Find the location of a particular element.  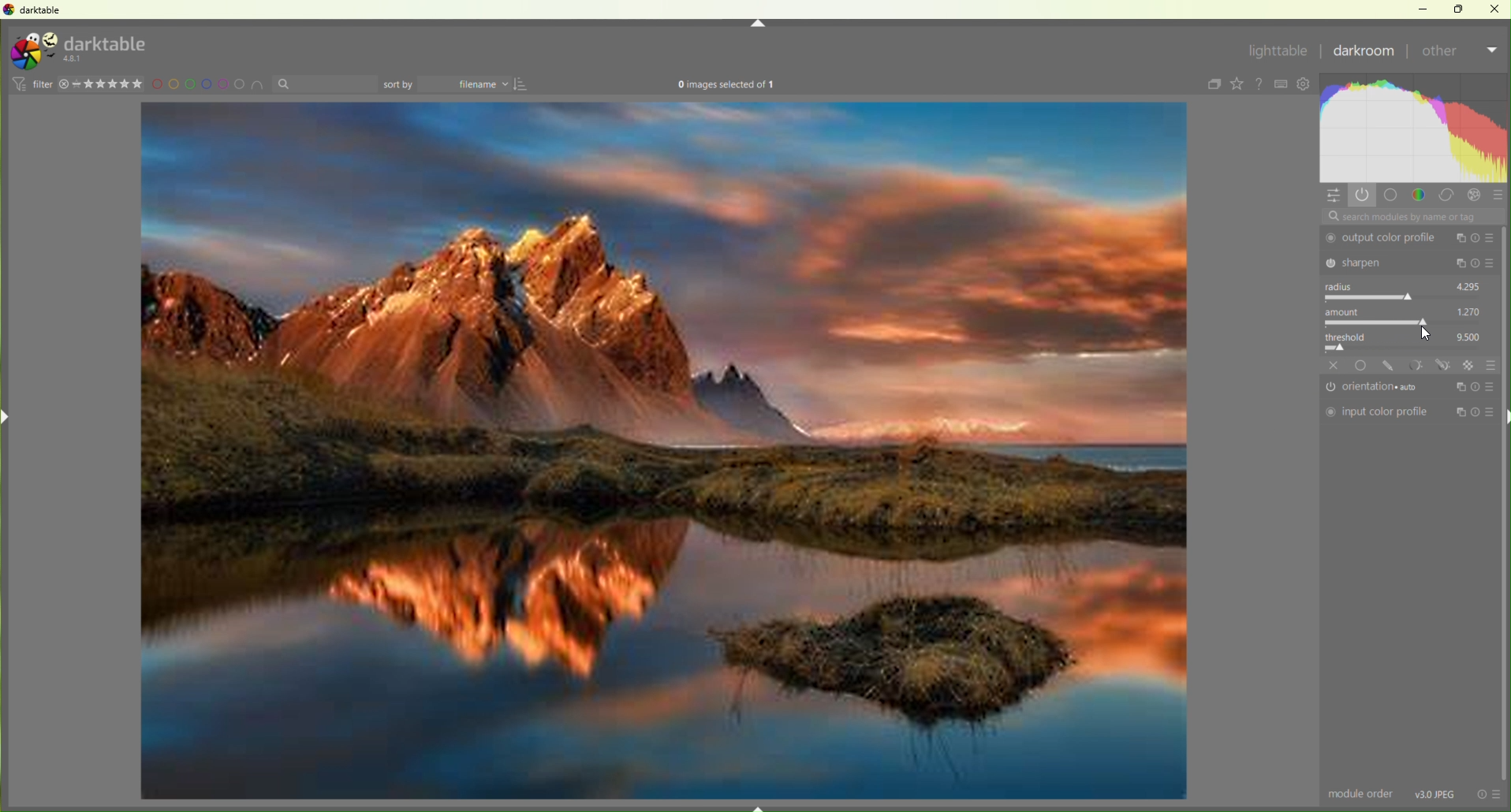

Settings is located at coordinates (1307, 85).